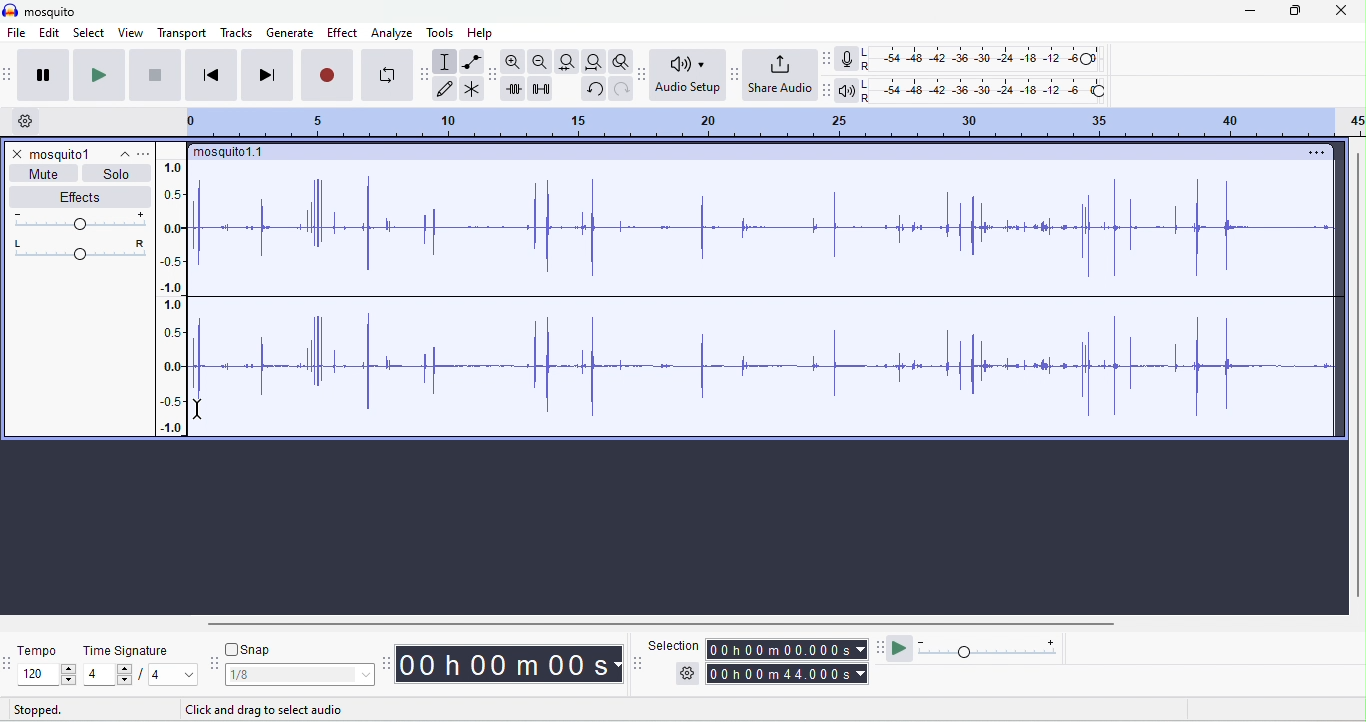 This screenshot has height=722, width=1366. What do you see at coordinates (540, 60) in the screenshot?
I see `zoom out` at bounding box center [540, 60].